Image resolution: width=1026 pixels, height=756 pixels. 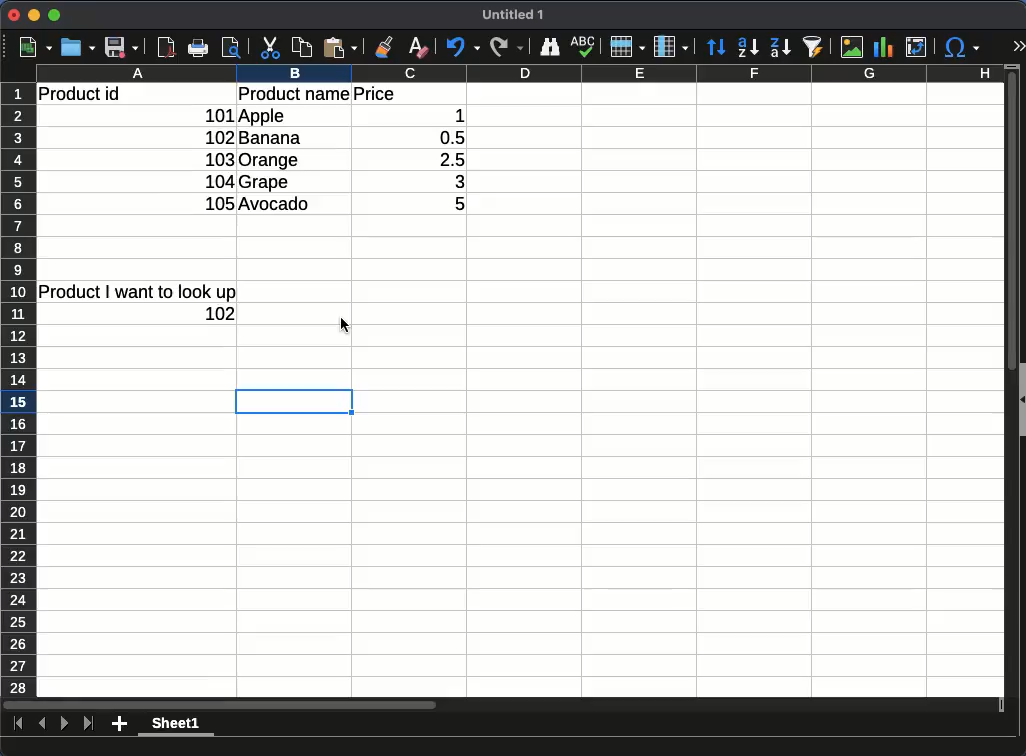 I want to click on Untitled 1, so click(x=512, y=14).